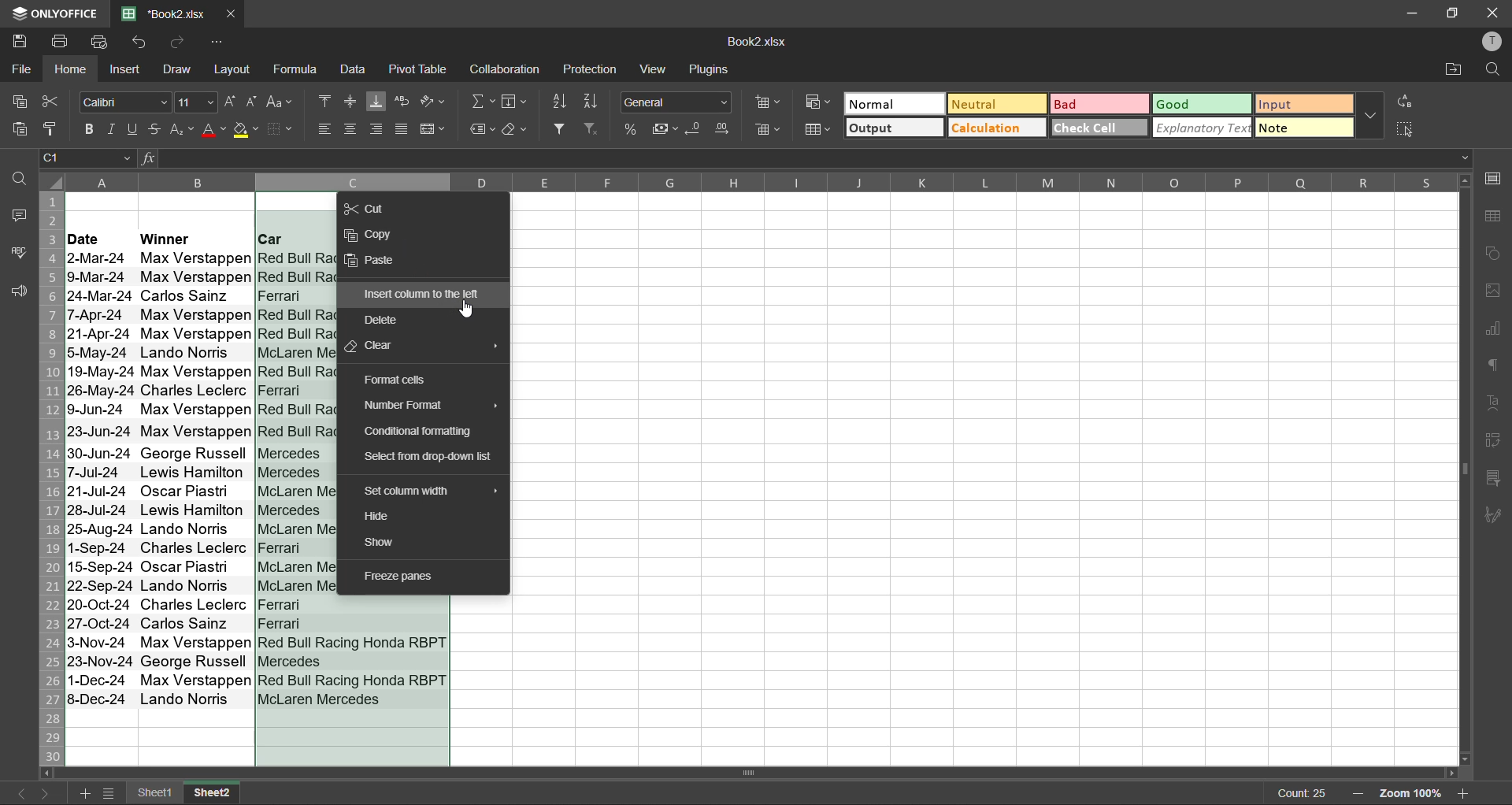 The height and width of the screenshot is (805, 1512). I want to click on copy, so click(371, 237).